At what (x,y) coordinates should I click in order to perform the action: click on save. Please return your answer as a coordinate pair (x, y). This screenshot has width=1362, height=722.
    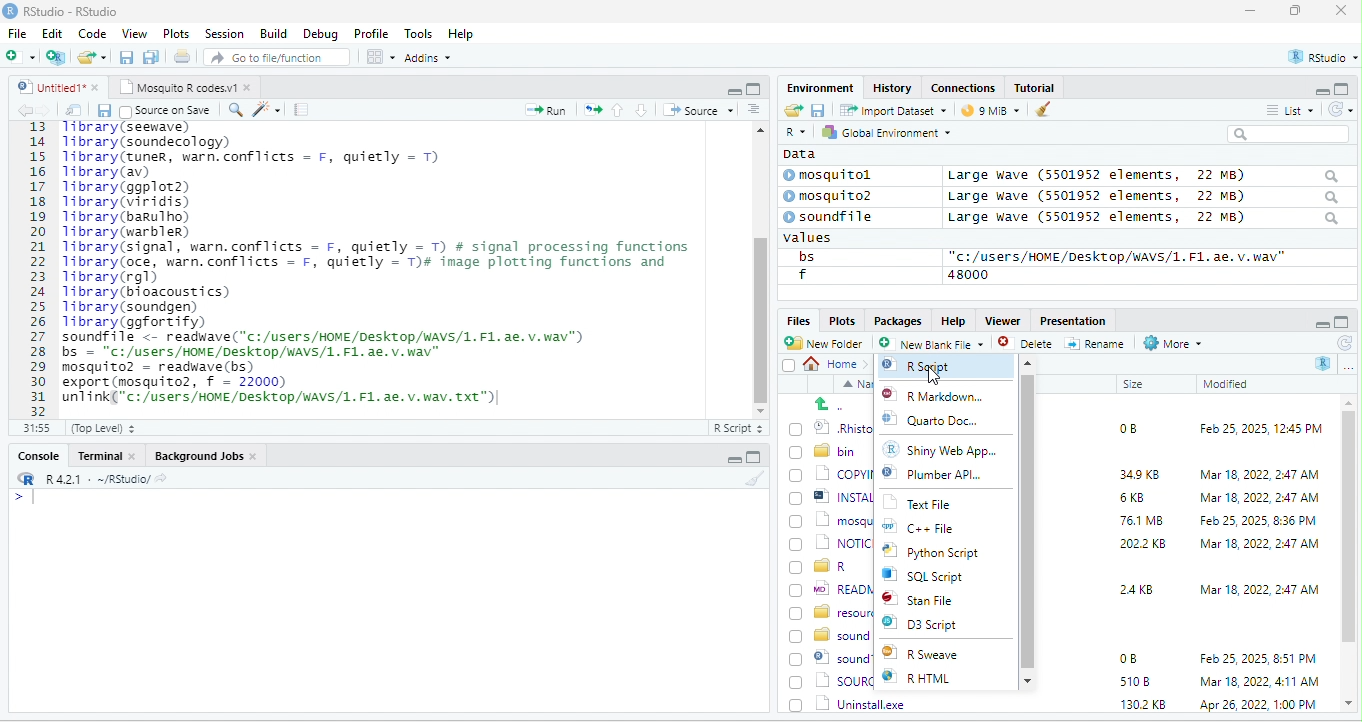
    Looking at the image, I should click on (817, 109).